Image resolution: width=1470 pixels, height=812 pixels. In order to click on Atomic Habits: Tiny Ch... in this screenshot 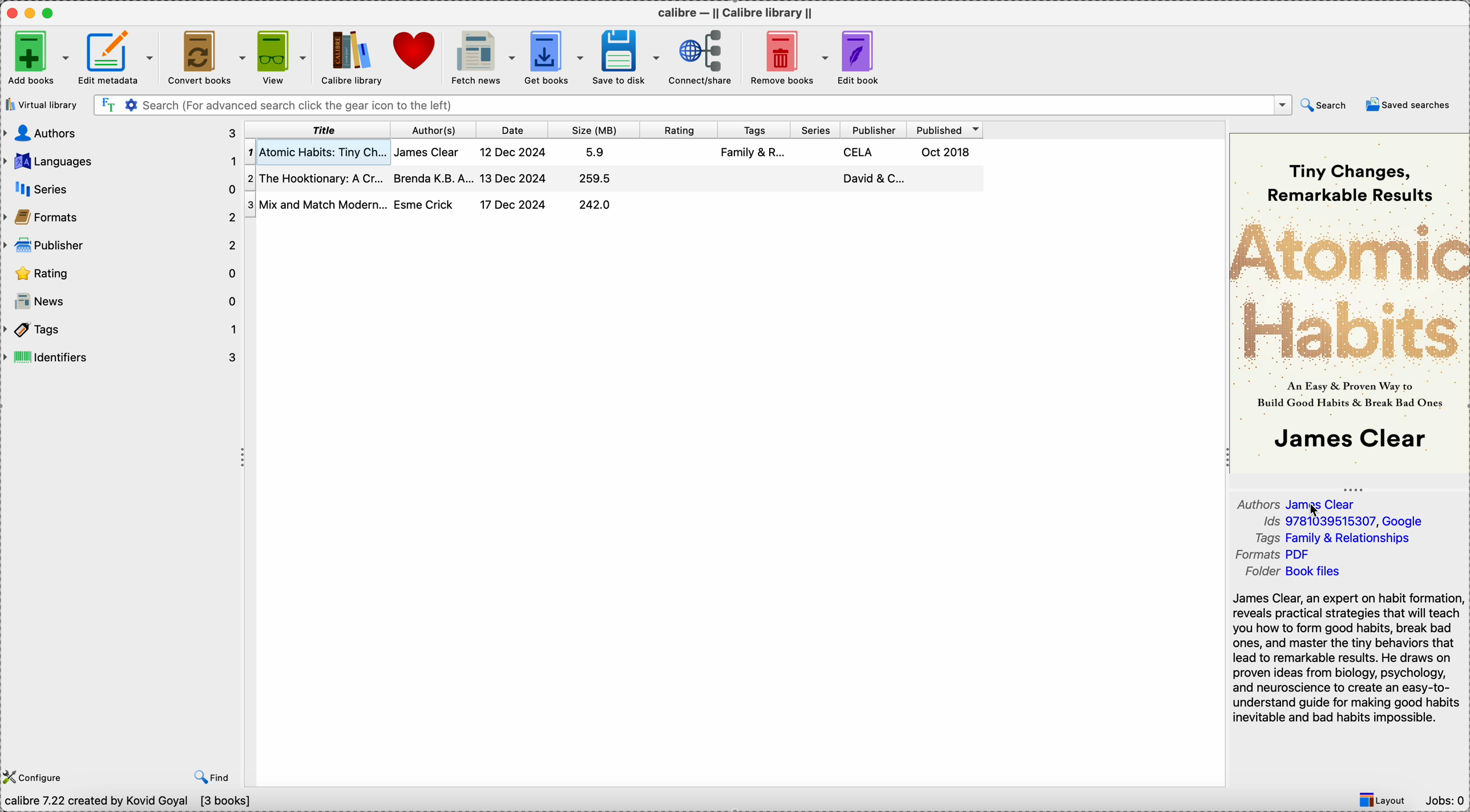, I will do `click(318, 152)`.